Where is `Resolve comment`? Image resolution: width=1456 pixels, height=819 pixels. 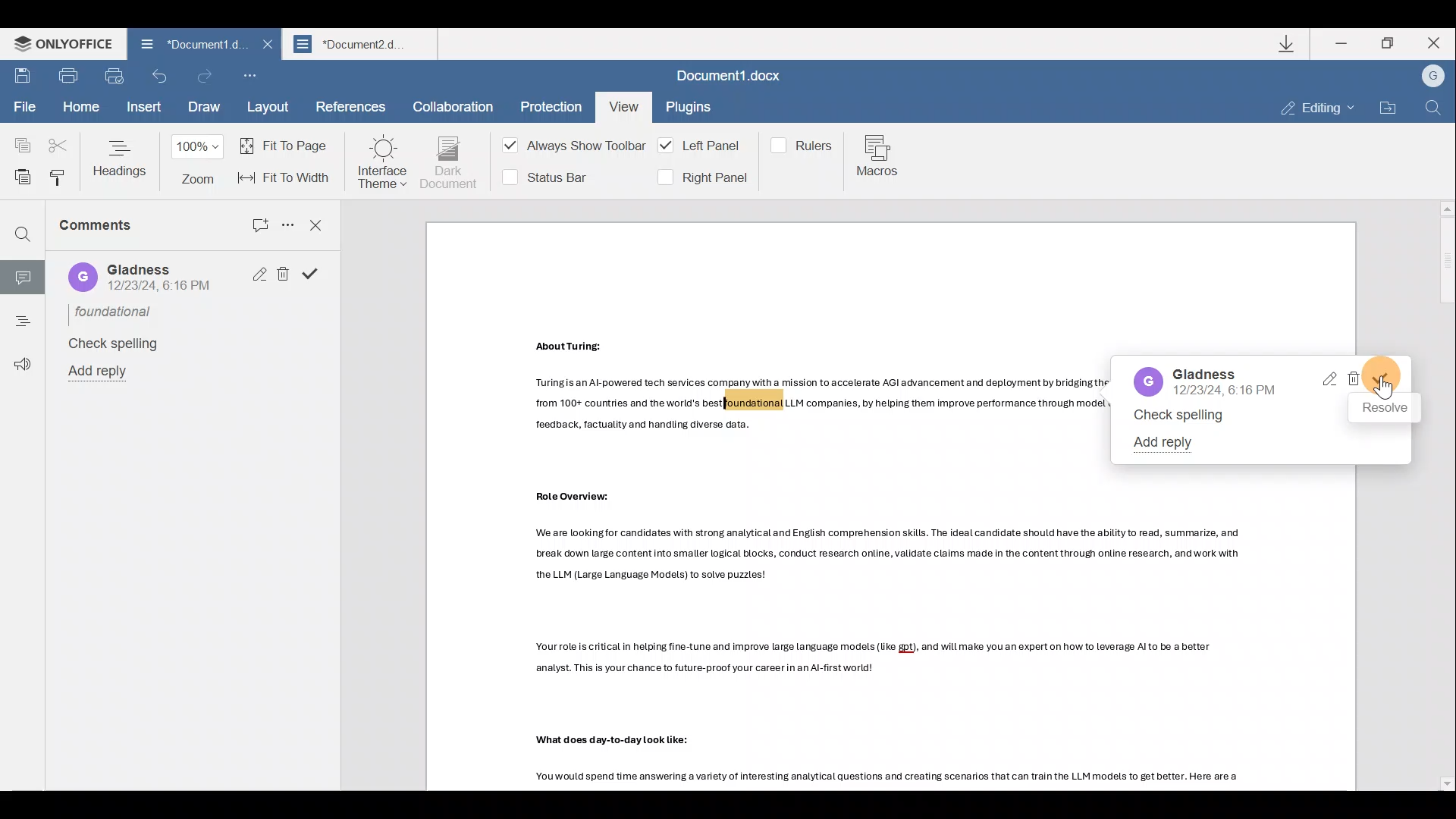
Resolve comment is located at coordinates (313, 275).